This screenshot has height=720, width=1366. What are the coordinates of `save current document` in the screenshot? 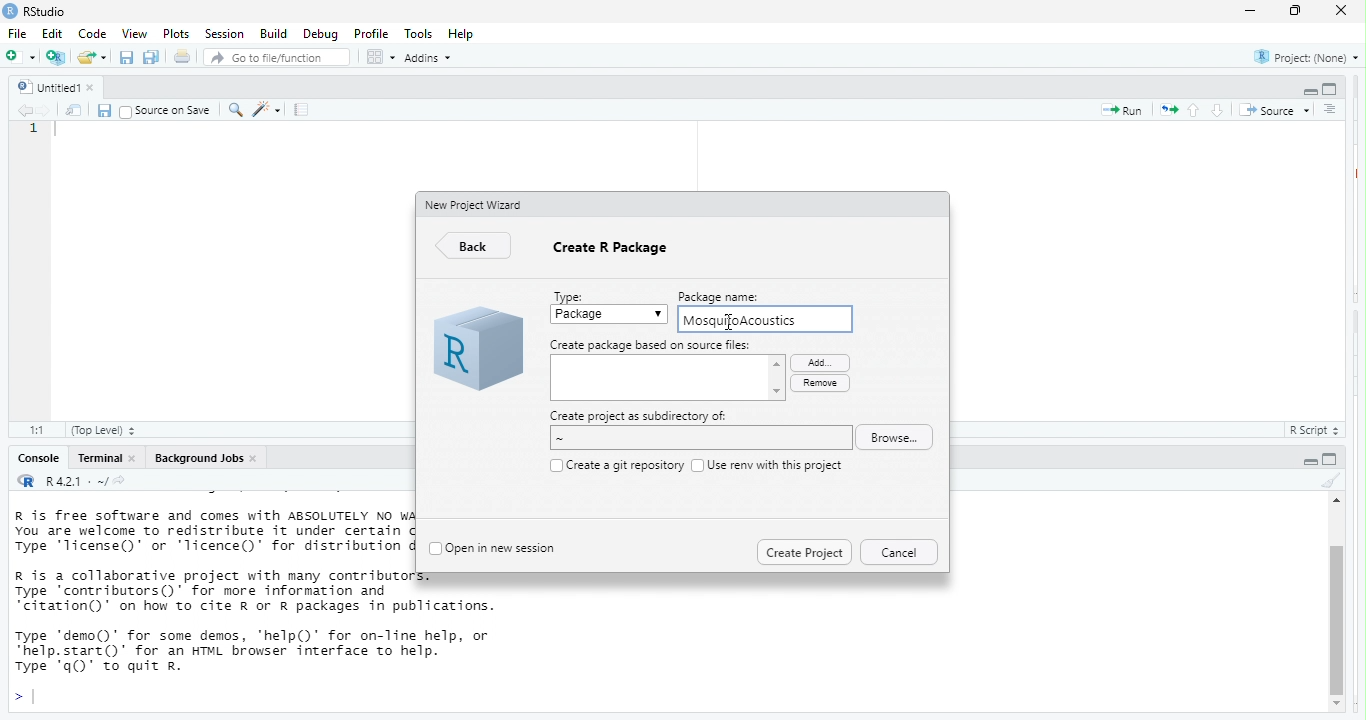 It's located at (105, 110).